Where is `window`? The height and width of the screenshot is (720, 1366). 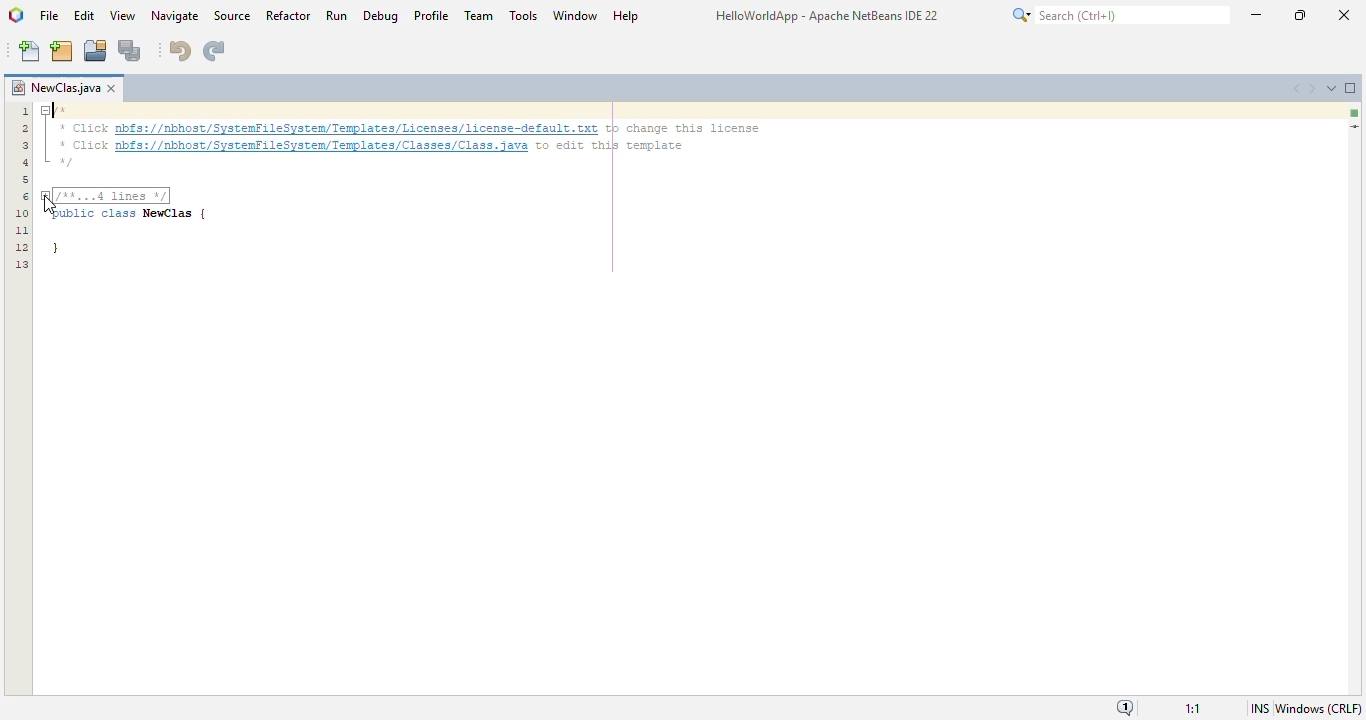 window is located at coordinates (576, 14).